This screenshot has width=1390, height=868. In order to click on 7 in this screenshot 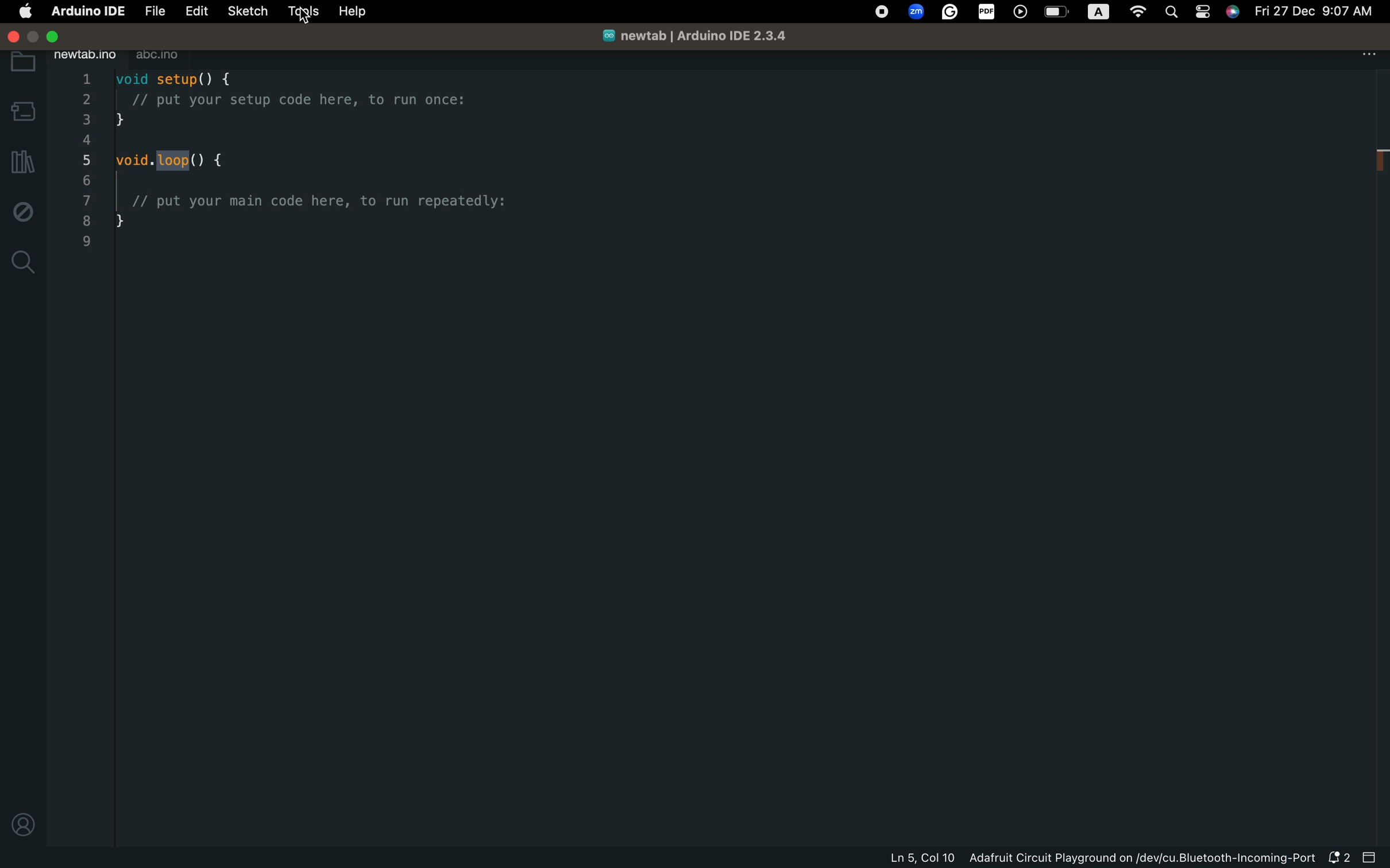, I will do `click(86, 200)`.